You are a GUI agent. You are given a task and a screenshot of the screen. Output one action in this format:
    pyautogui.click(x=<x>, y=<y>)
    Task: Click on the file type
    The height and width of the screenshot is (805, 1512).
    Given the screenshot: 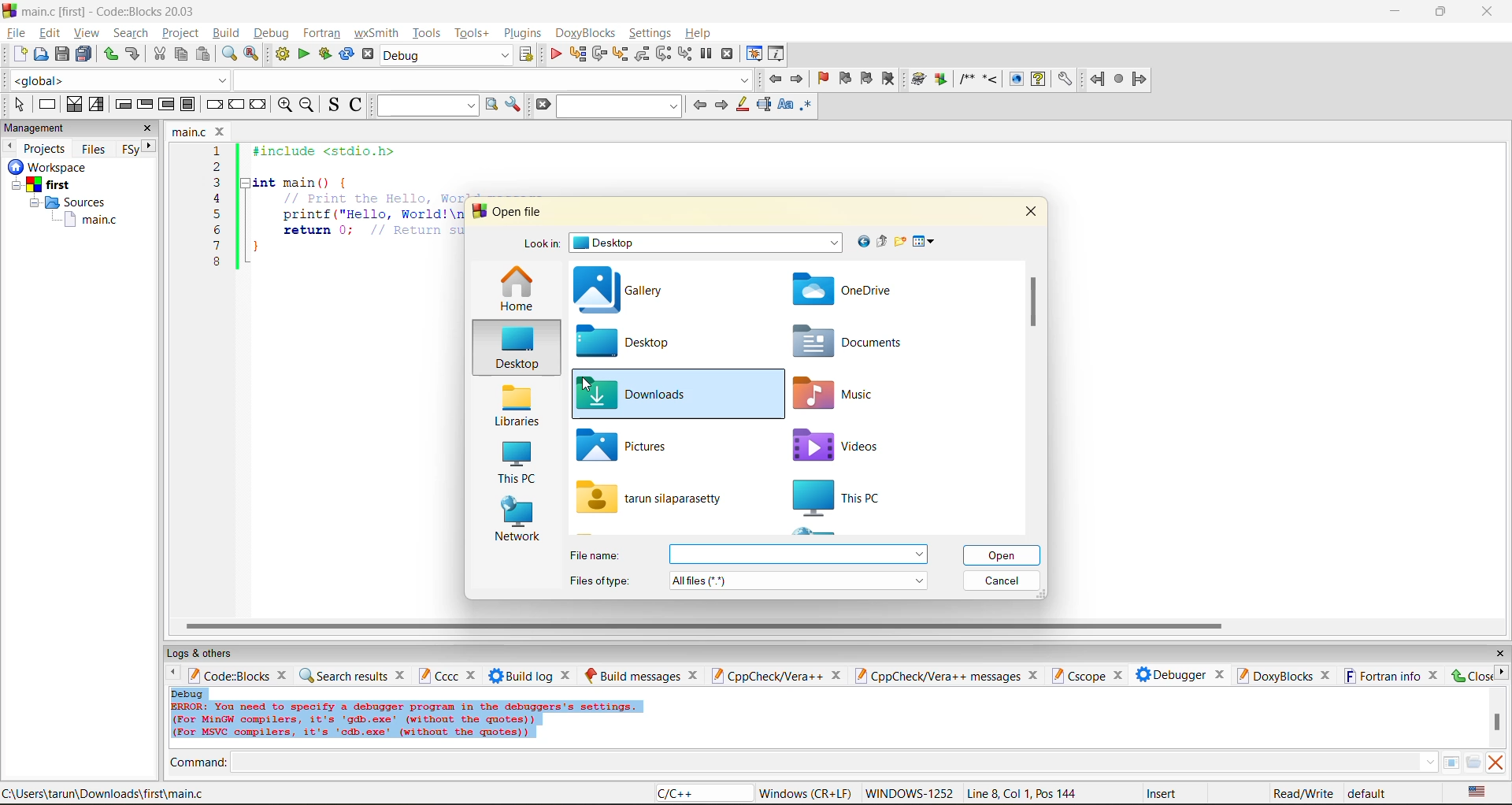 What is the action you would take?
    pyautogui.click(x=600, y=579)
    